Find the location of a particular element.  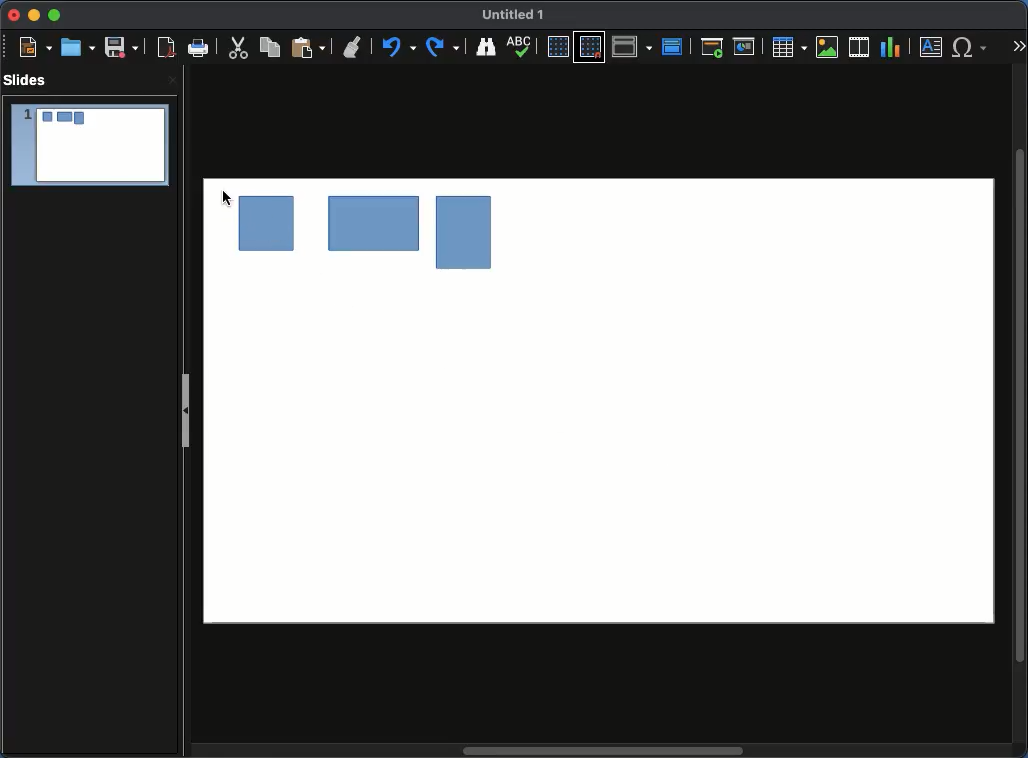

Shape is located at coordinates (370, 229).